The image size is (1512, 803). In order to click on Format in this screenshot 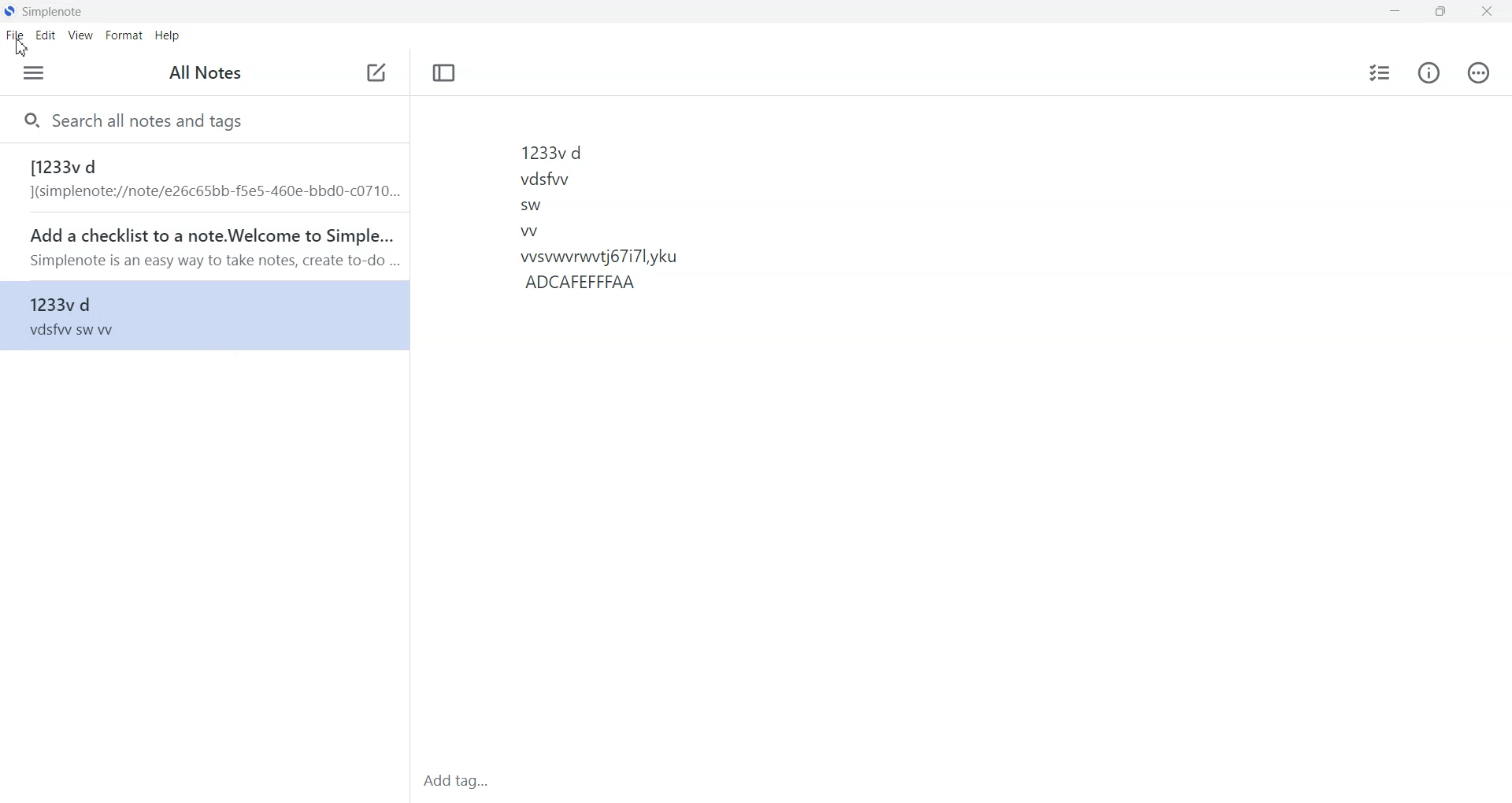, I will do `click(124, 35)`.